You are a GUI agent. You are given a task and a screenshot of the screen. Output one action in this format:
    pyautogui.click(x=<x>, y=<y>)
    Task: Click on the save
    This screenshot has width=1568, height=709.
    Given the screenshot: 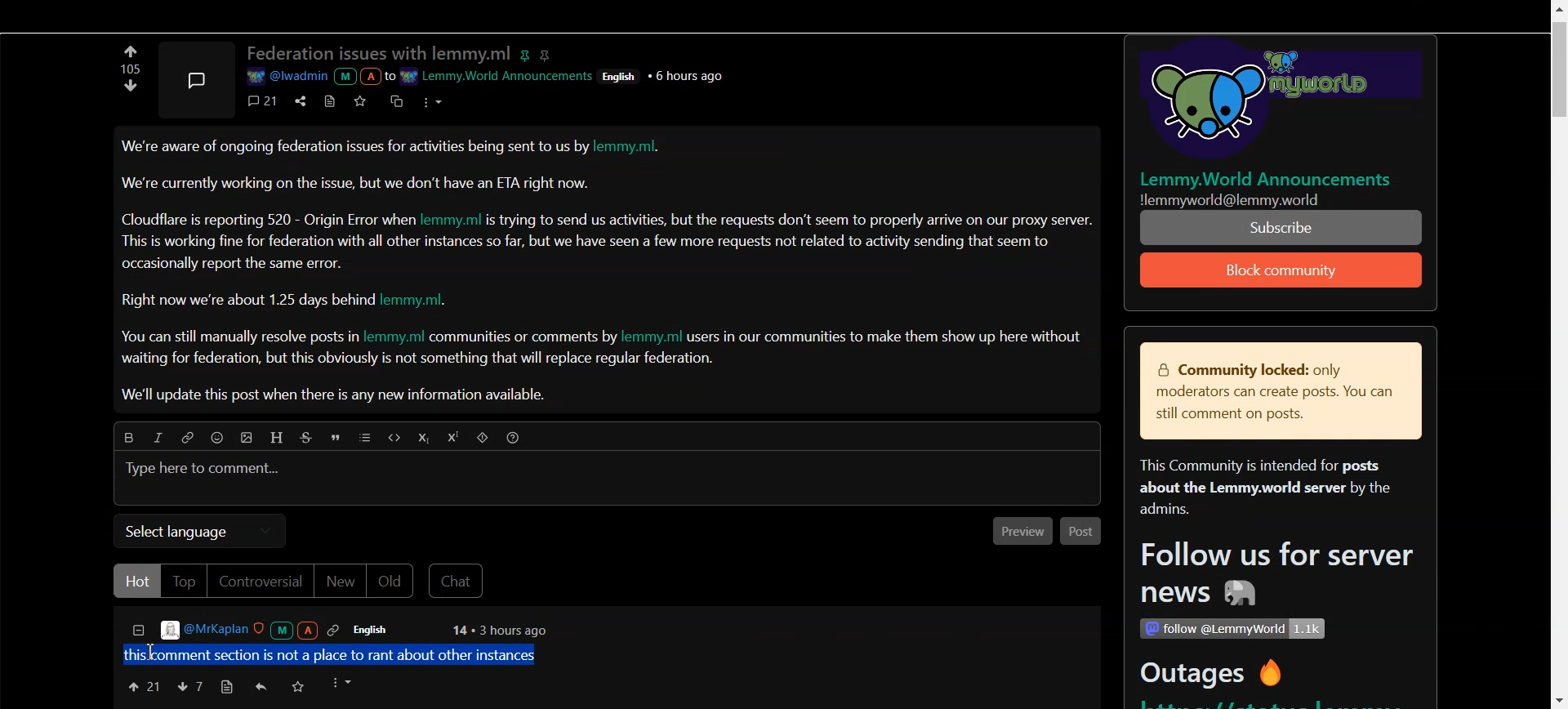 What is the action you would take?
    pyautogui.click(x=363, y=100)
    